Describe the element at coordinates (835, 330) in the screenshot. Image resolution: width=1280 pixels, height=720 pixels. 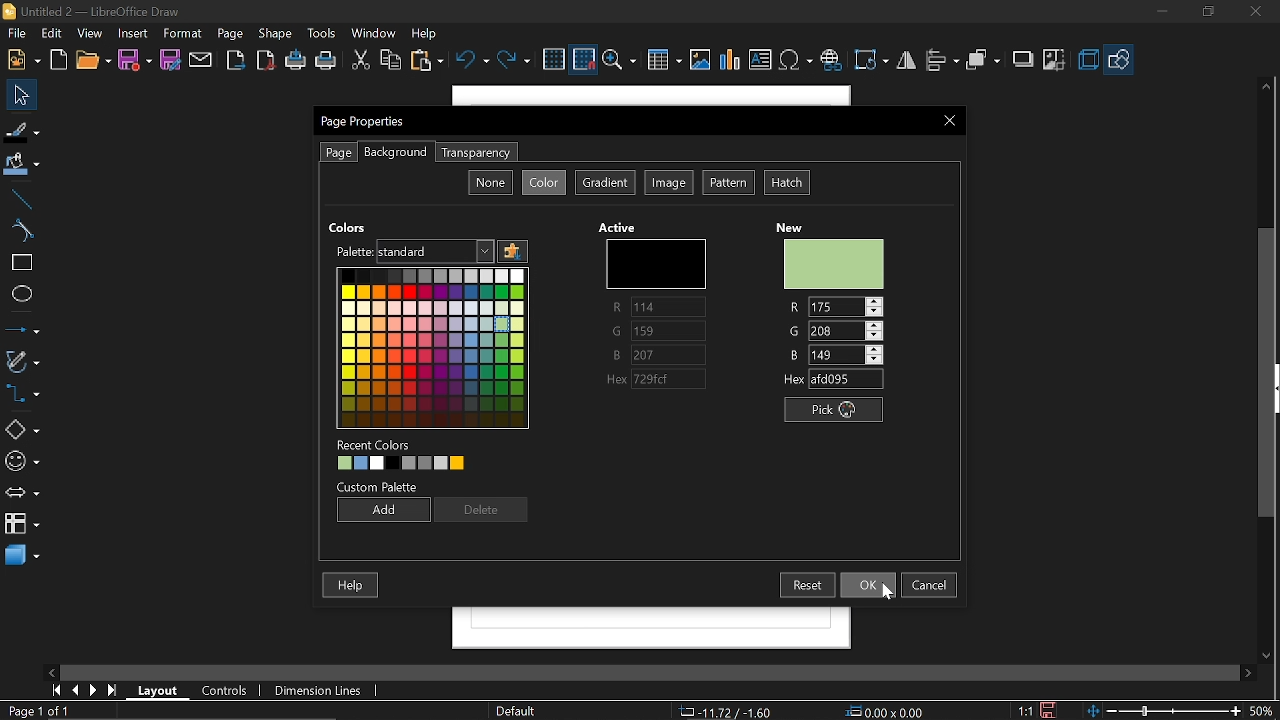
I see `G` at that location.